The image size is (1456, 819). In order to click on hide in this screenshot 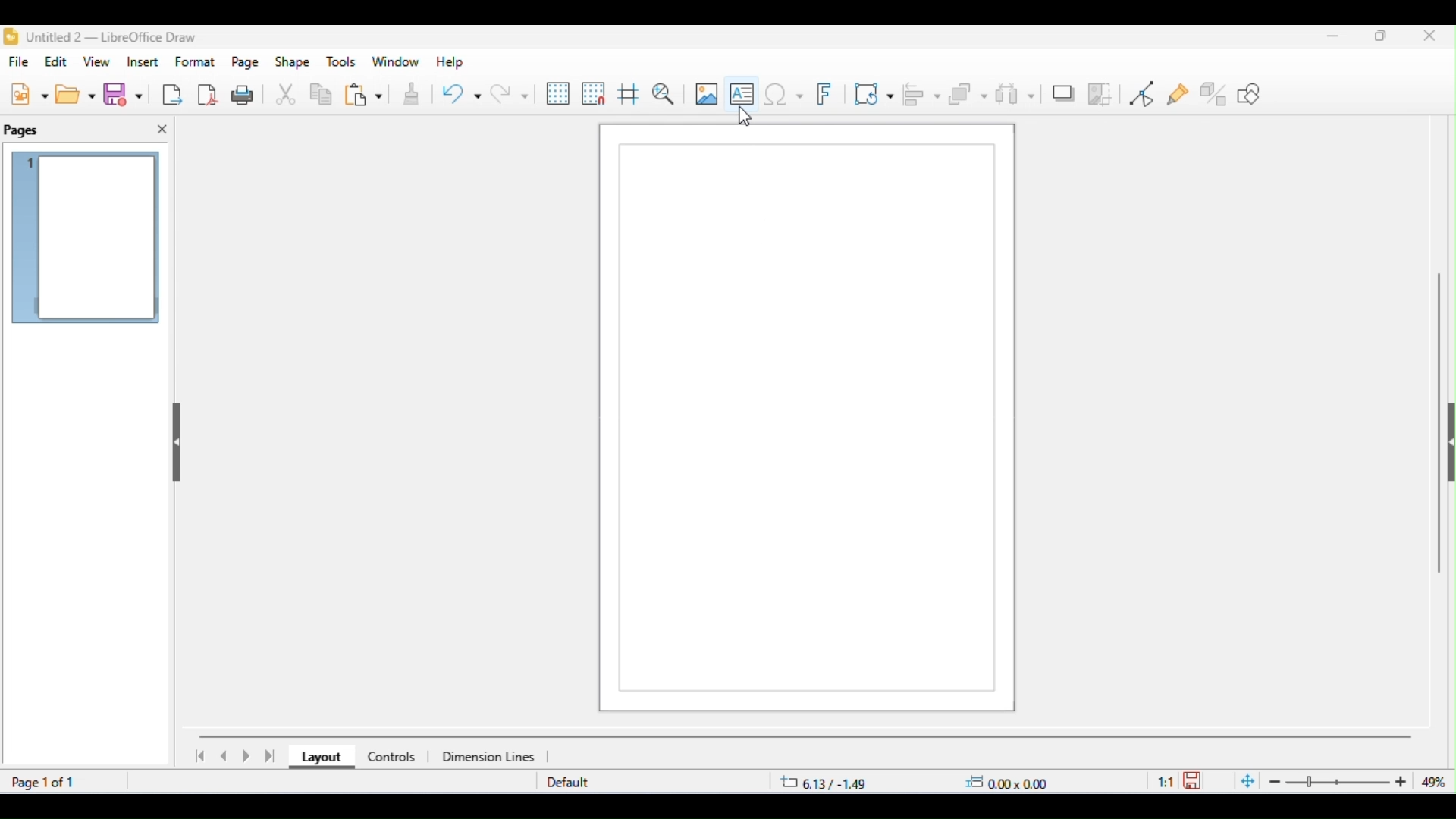, I will do `click(174, 438)`.